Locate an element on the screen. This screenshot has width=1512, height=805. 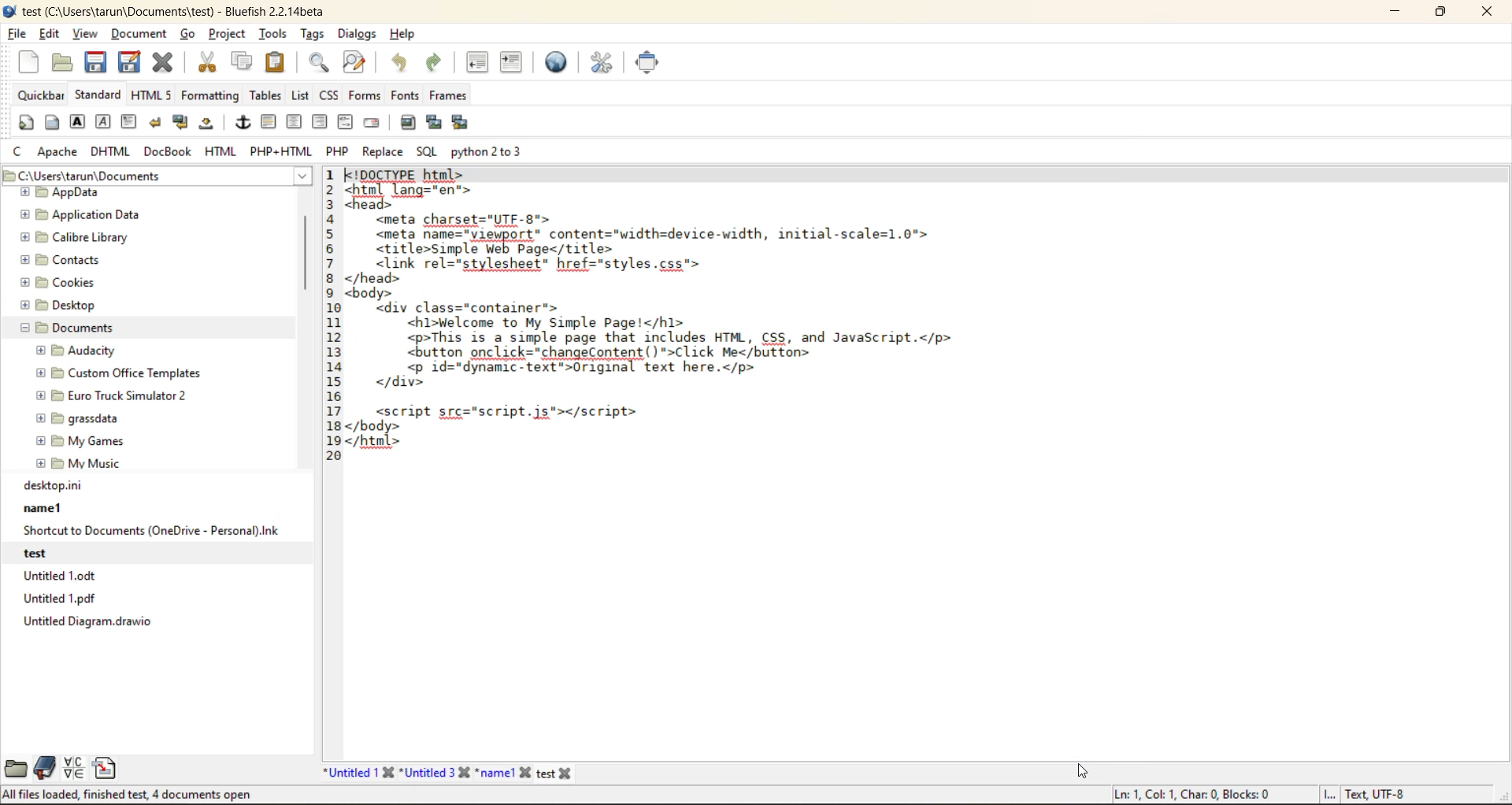
opened file name is located at coordinates (175, 11).